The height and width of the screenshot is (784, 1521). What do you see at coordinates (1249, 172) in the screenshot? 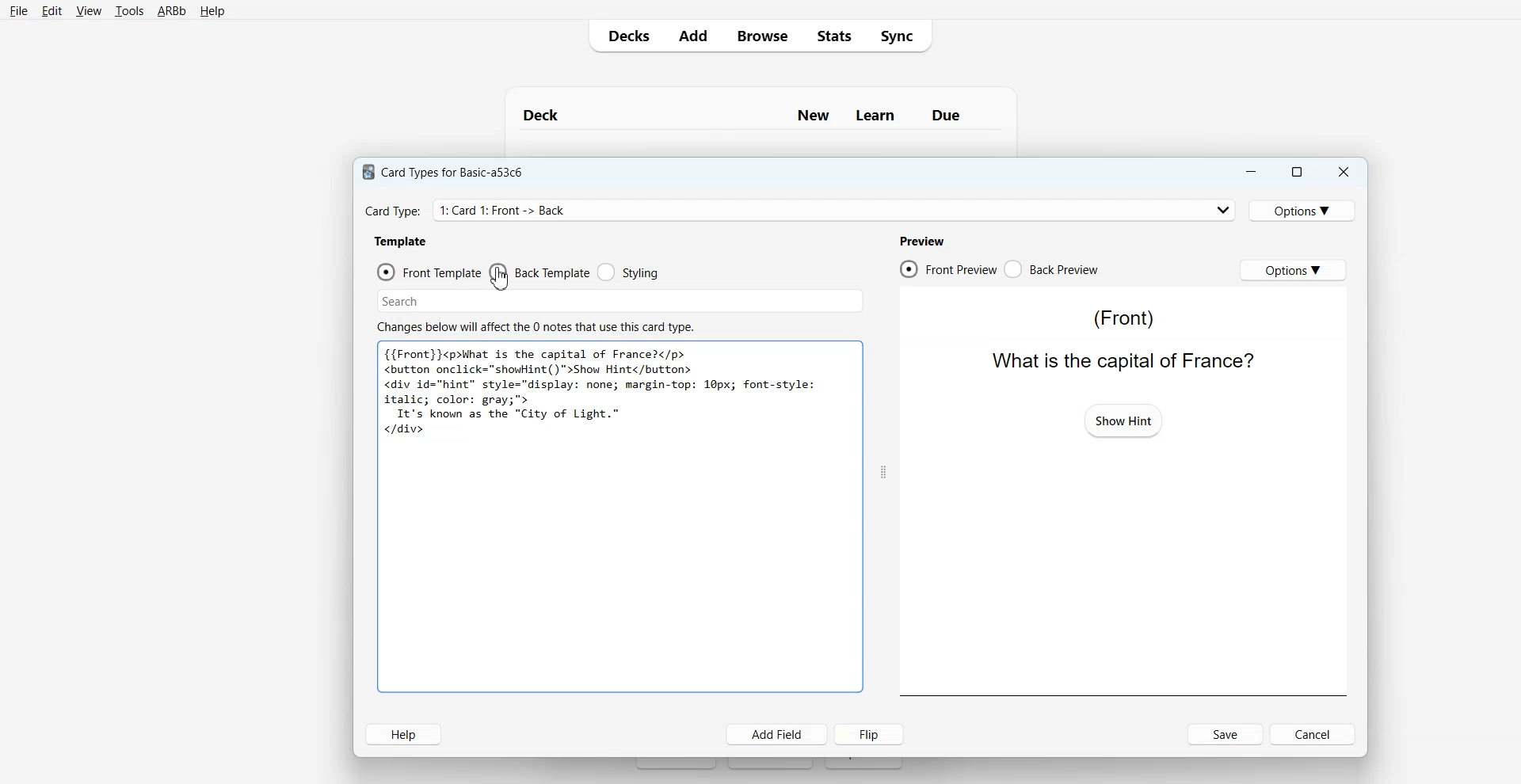
I see `Minimize` at bounding box center [1249, 172].